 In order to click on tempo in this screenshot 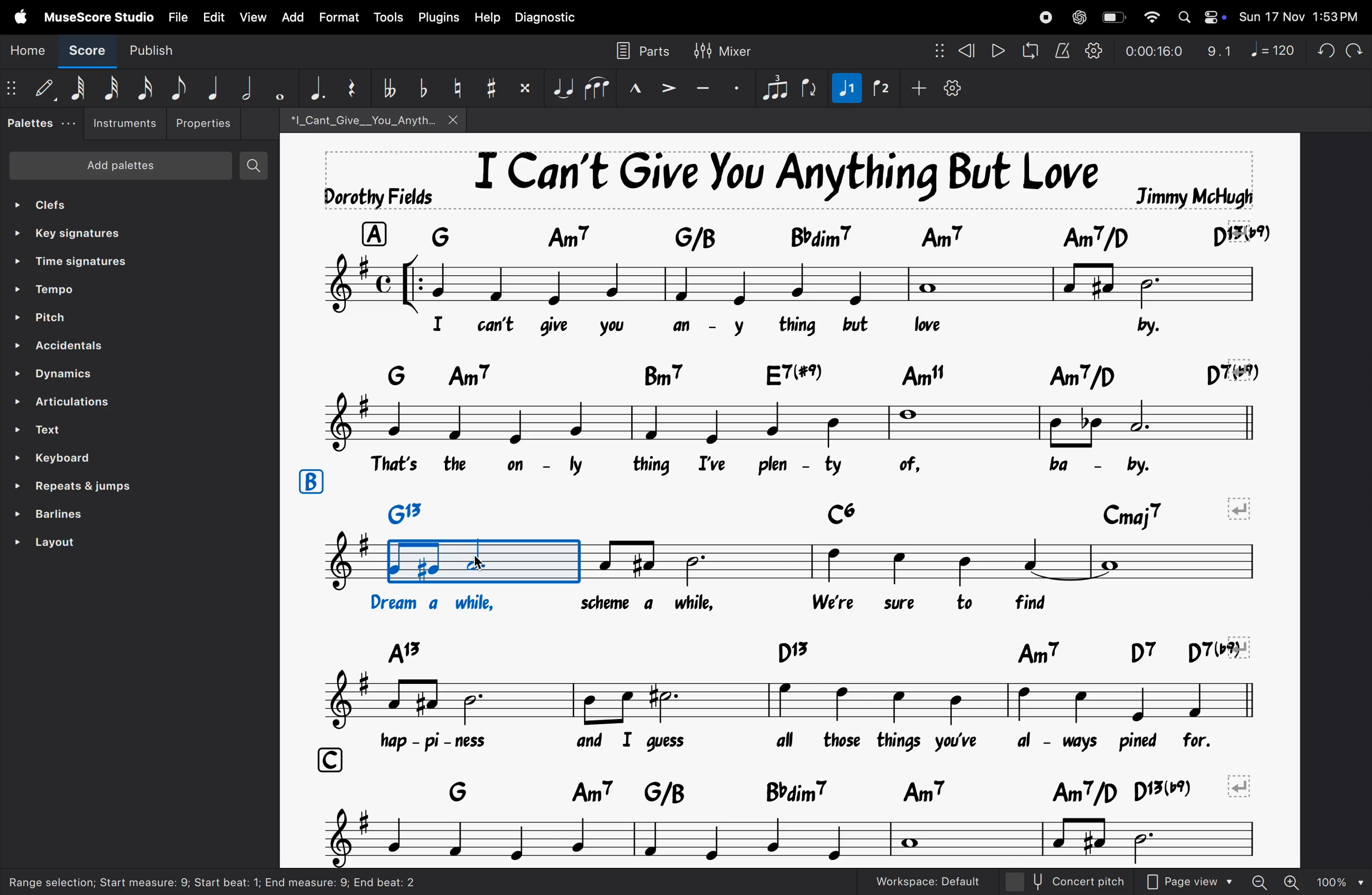, I will do `click(51, 291)`.